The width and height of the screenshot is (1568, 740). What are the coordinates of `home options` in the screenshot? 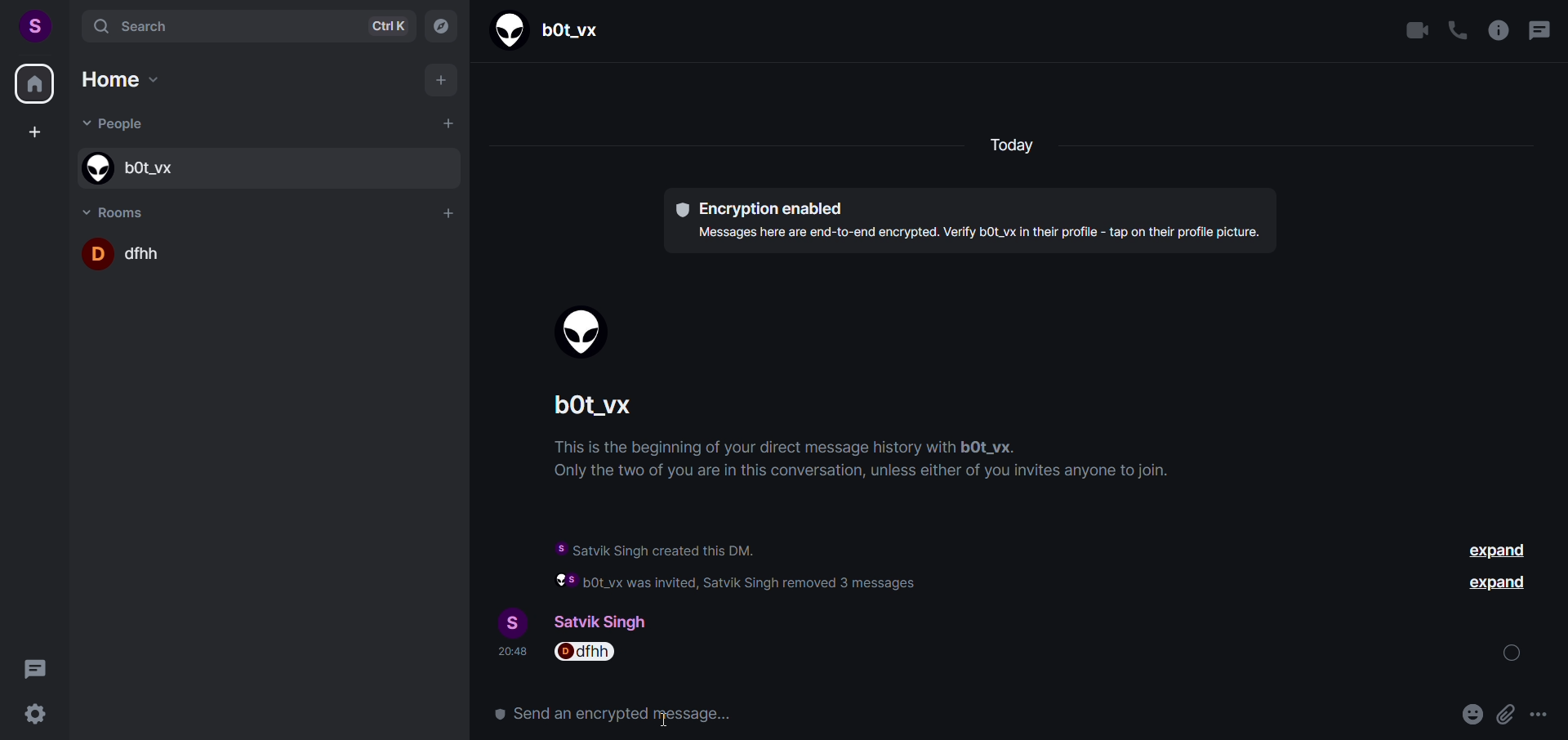 It's located at (134, 83).